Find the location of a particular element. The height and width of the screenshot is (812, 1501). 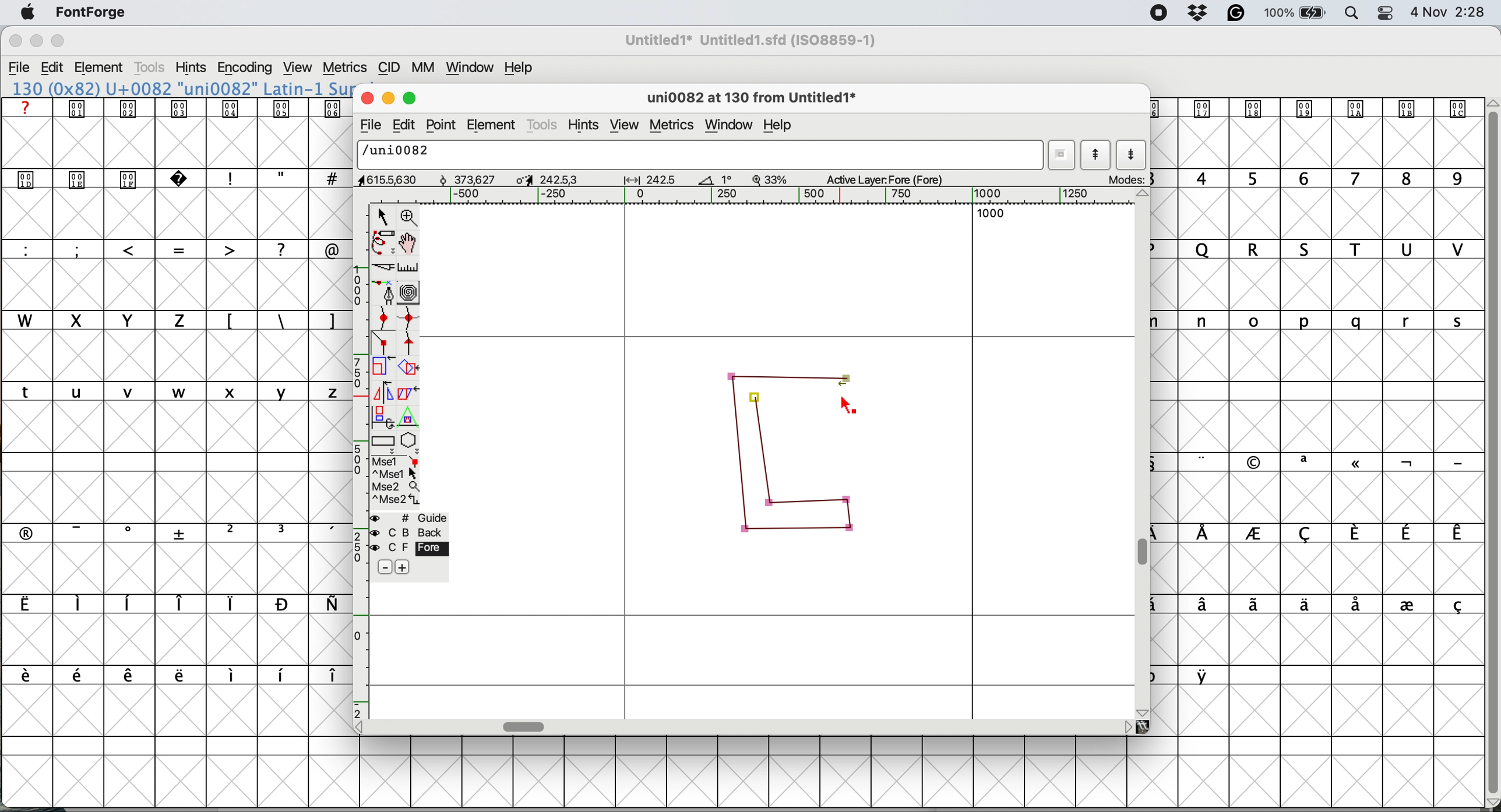

fontforge is located at coordinates (92, 12).